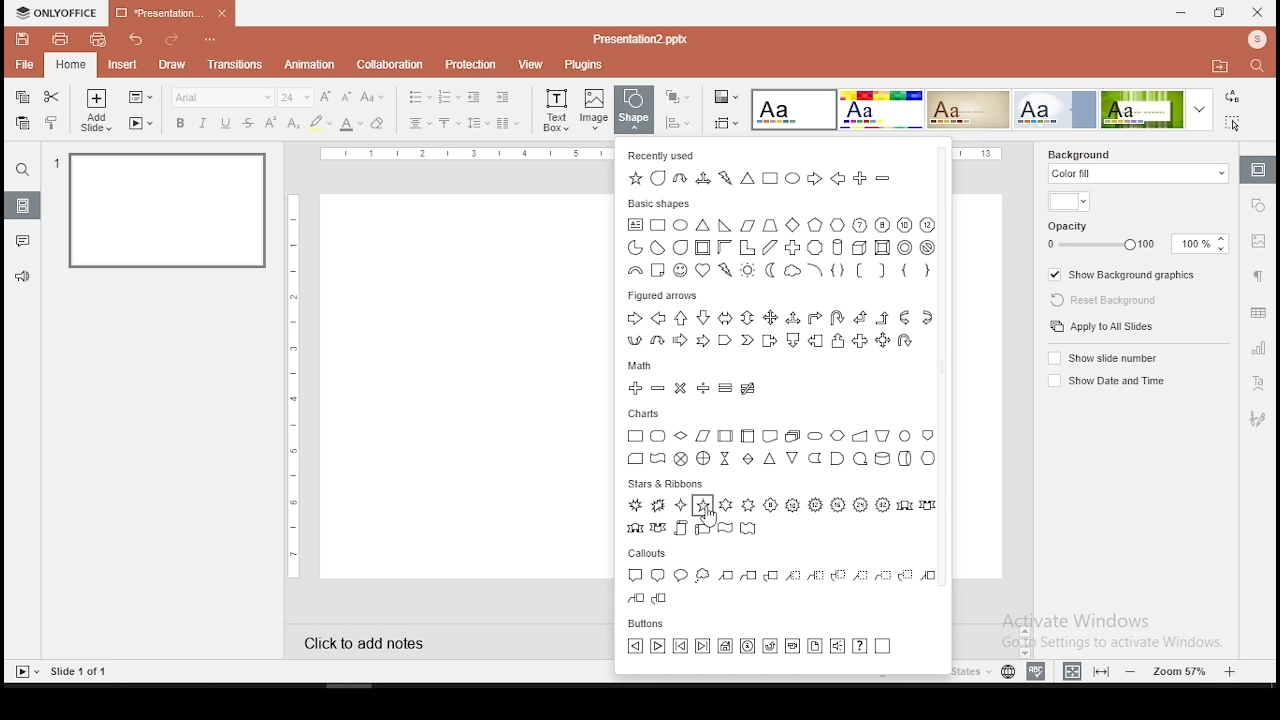 This screenshot has height=720, width=1280. Describe the element at coordinates (880, 110) in the screenshot. I see `` at that location.